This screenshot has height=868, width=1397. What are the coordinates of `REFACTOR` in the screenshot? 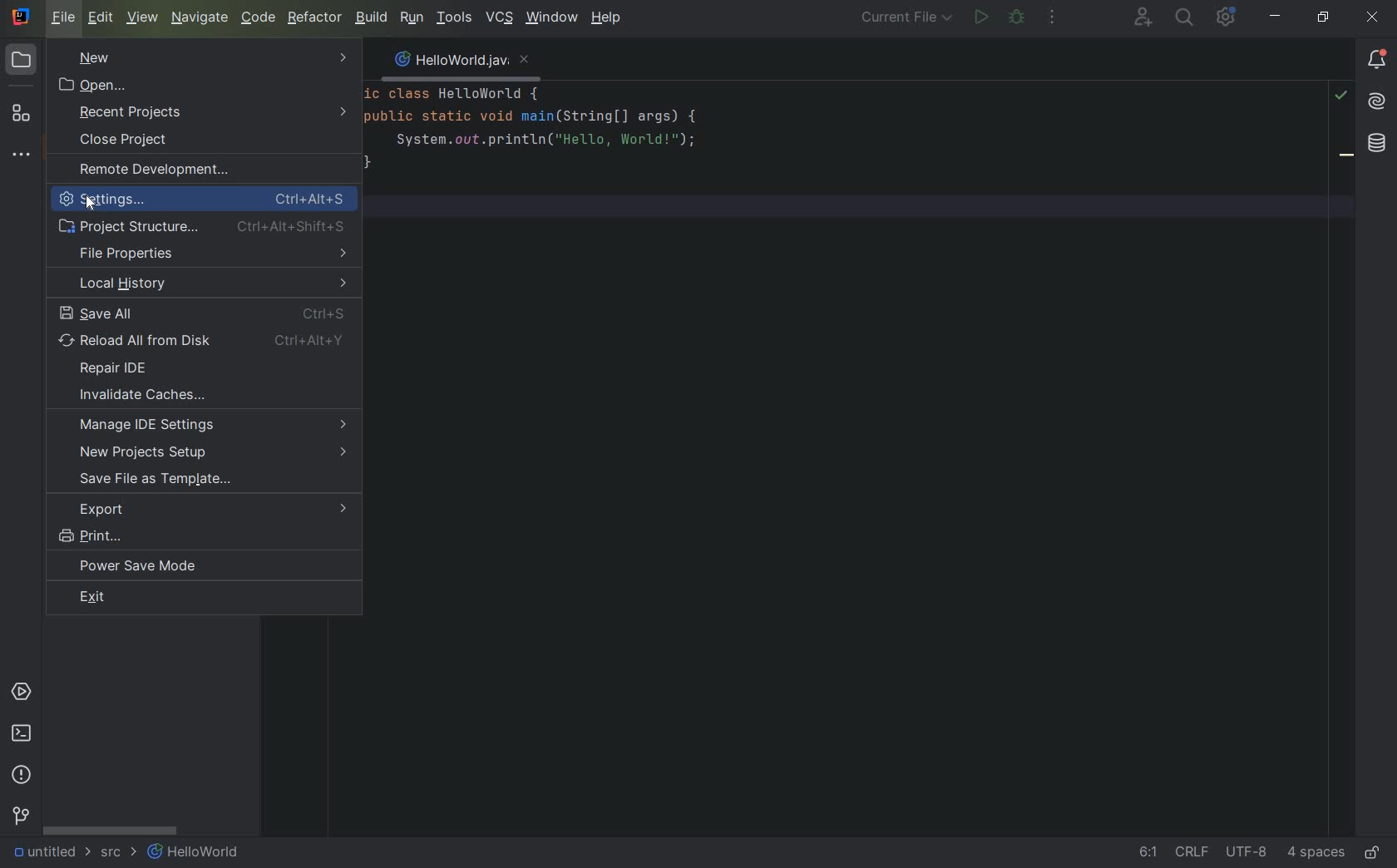 It's located at (316, 18).